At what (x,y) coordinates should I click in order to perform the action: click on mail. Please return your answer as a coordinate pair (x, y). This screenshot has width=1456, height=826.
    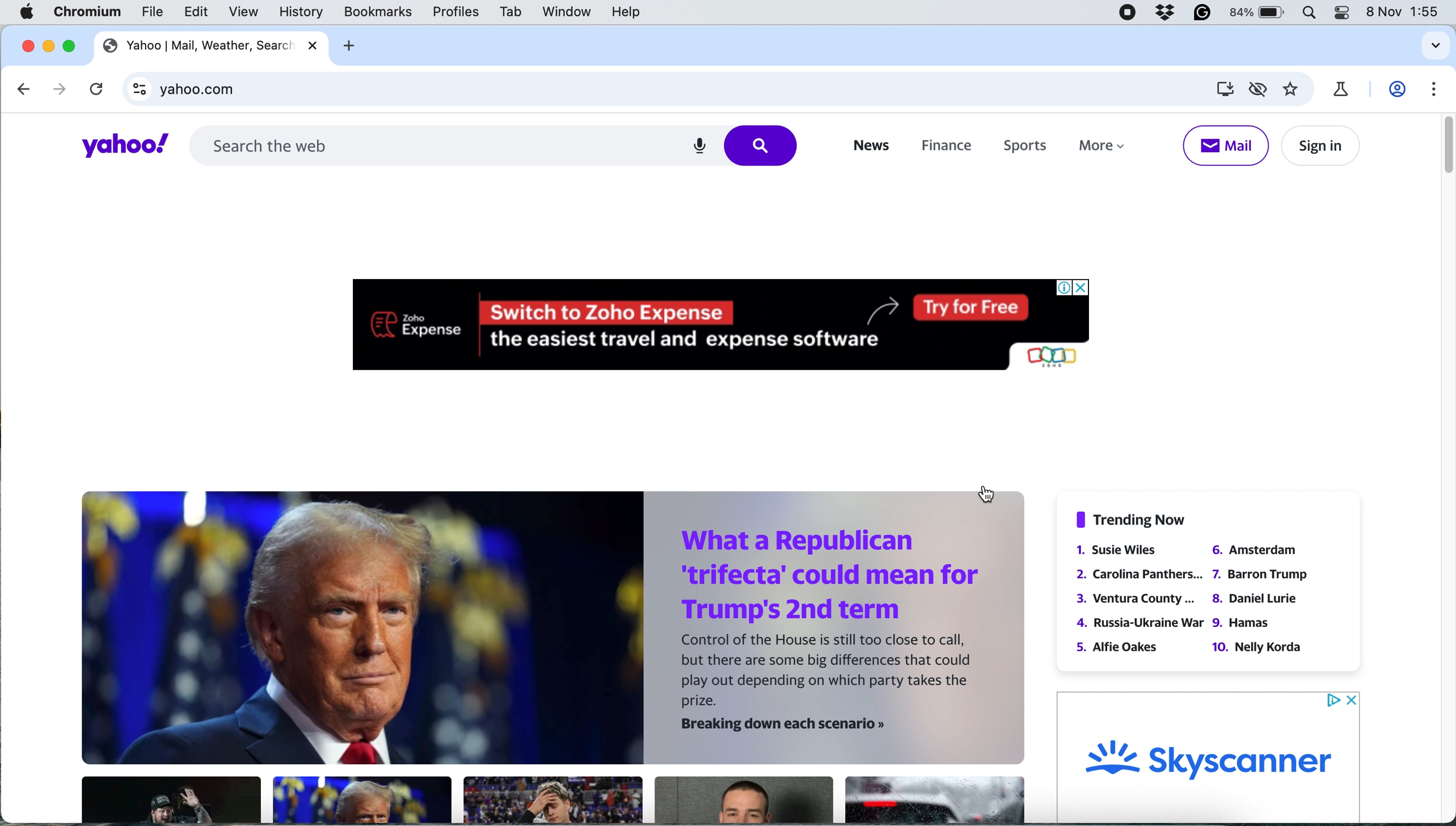
    Looking at the image, I should click on (1226, 146).